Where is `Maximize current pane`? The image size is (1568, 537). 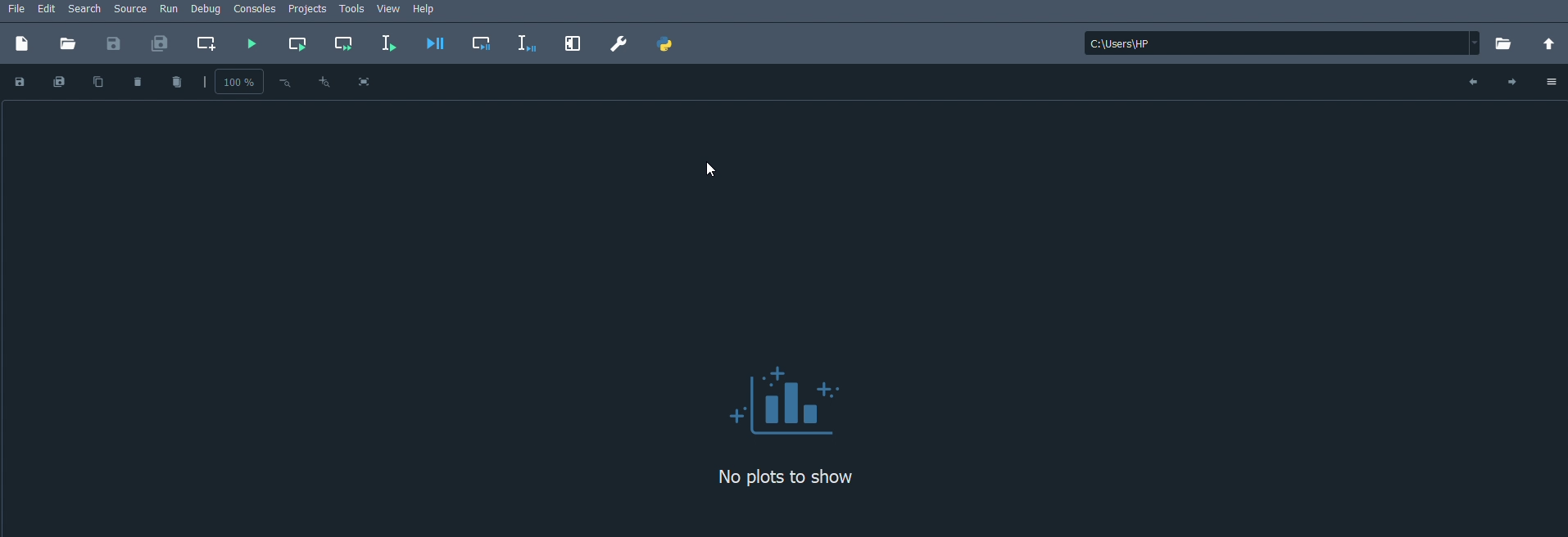 Maximize current pane is located at coordinates (573, 44).